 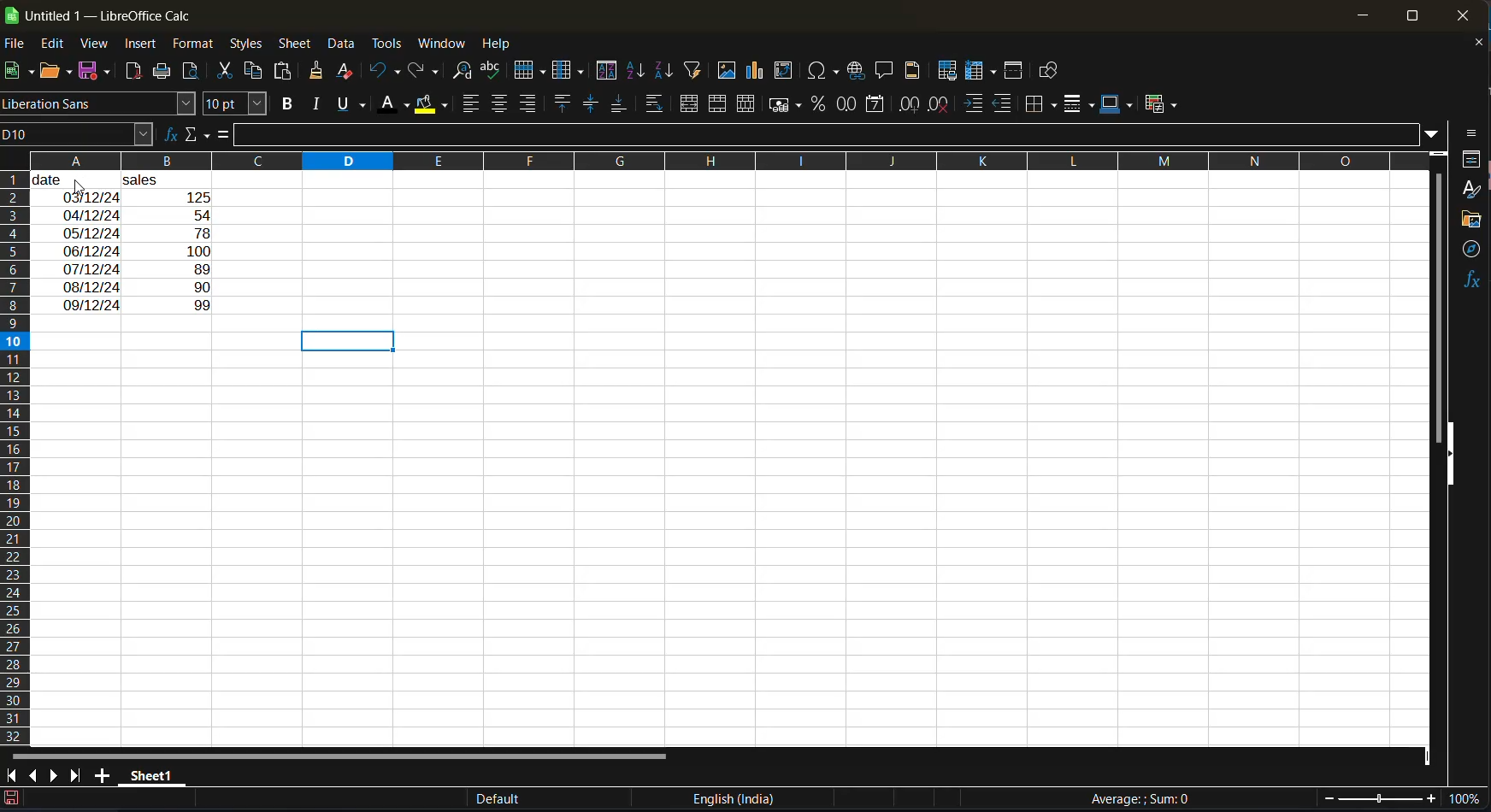 What do you see at coordinates (527, 103) in the screenshot?
I see `align right` at bounding box center [527, 103].